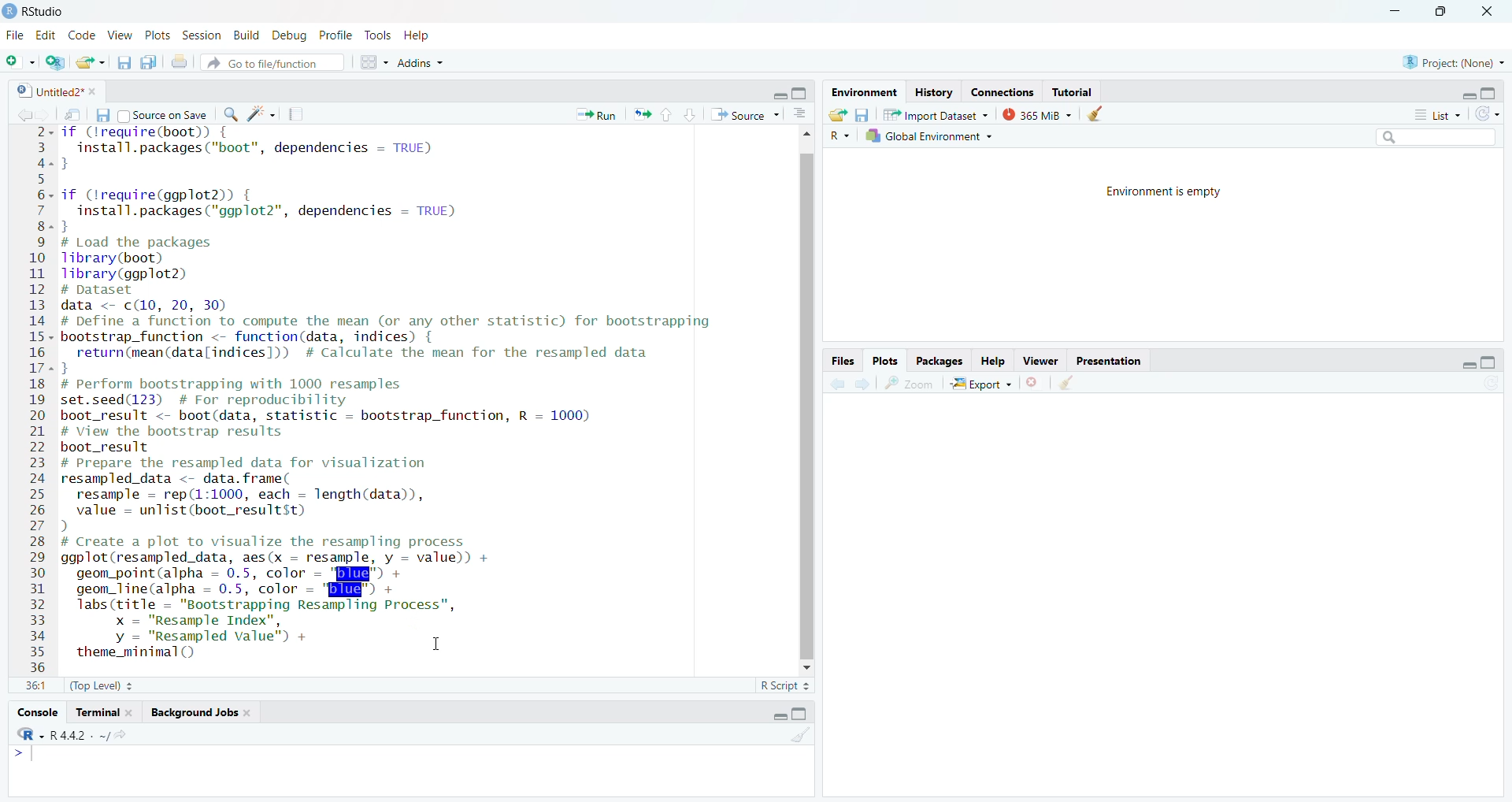  Describe the element at coordinates (1440, 13) in the screenshot. I see `maximize` at that location.